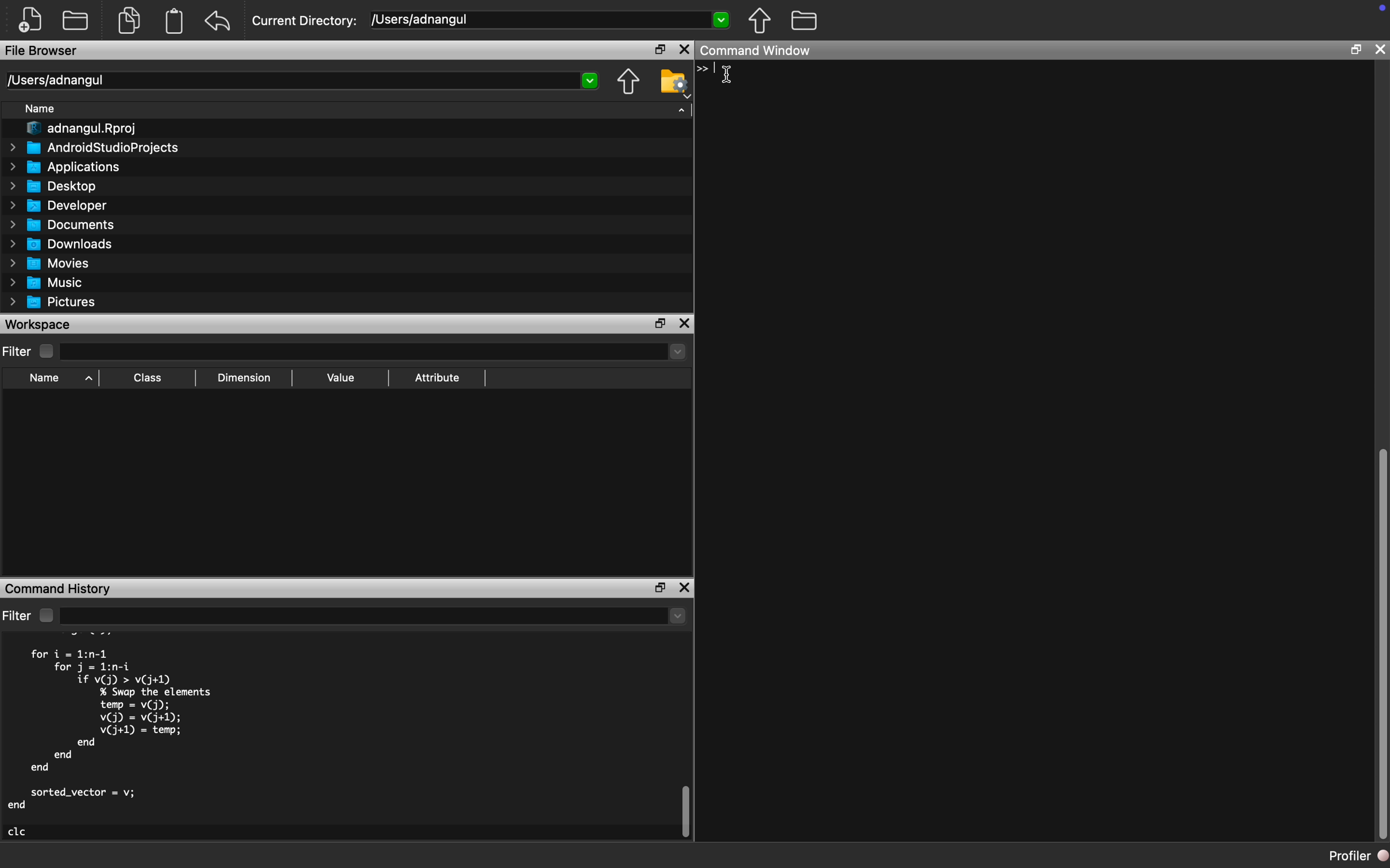 The height and width of the screenshot is (868, 1390). Describe the element at coordinates (55, 187) in the screenshot. I see `Desktop` at that location.